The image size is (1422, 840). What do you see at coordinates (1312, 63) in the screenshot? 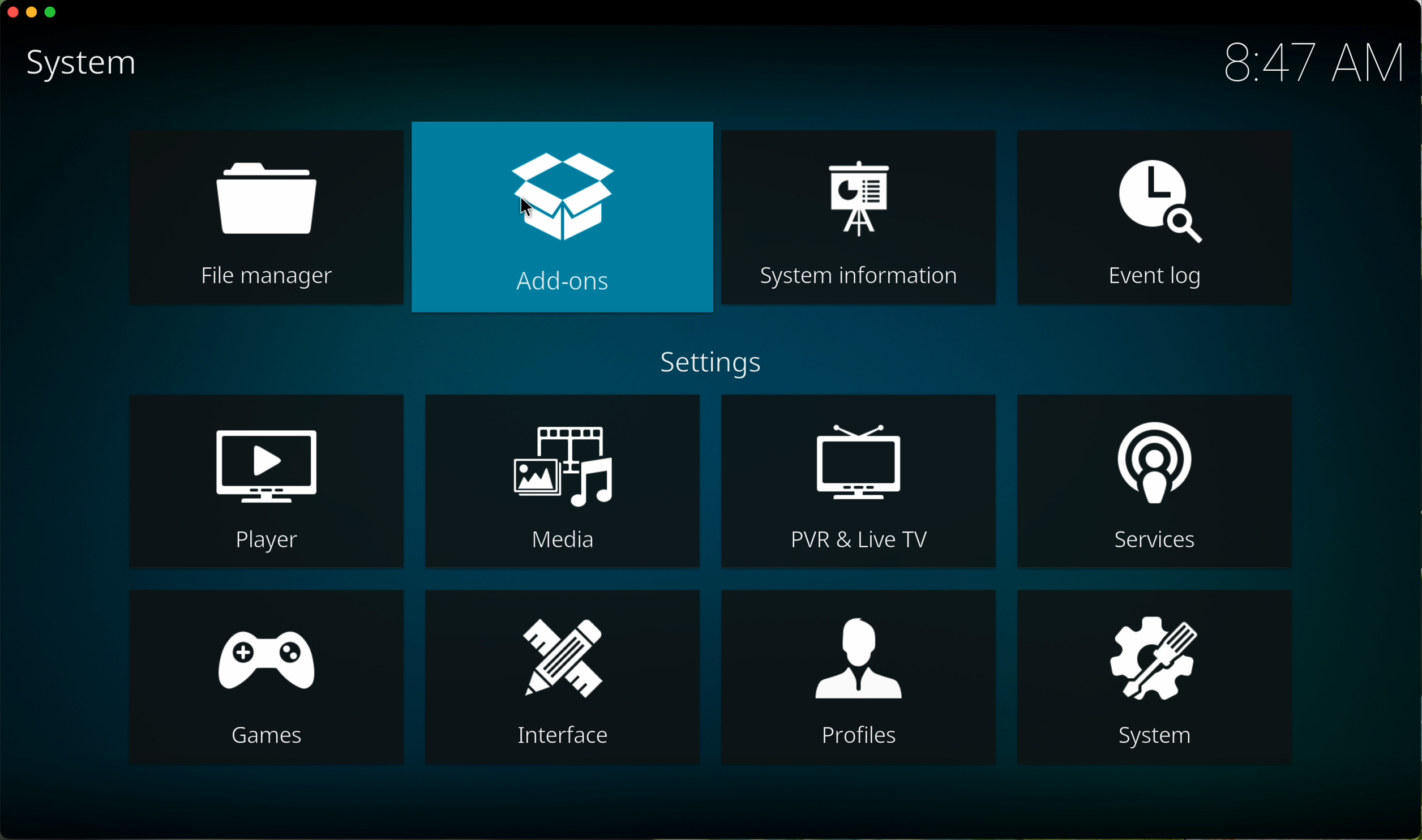
I see `hour` at bounding box center [1312, 63].